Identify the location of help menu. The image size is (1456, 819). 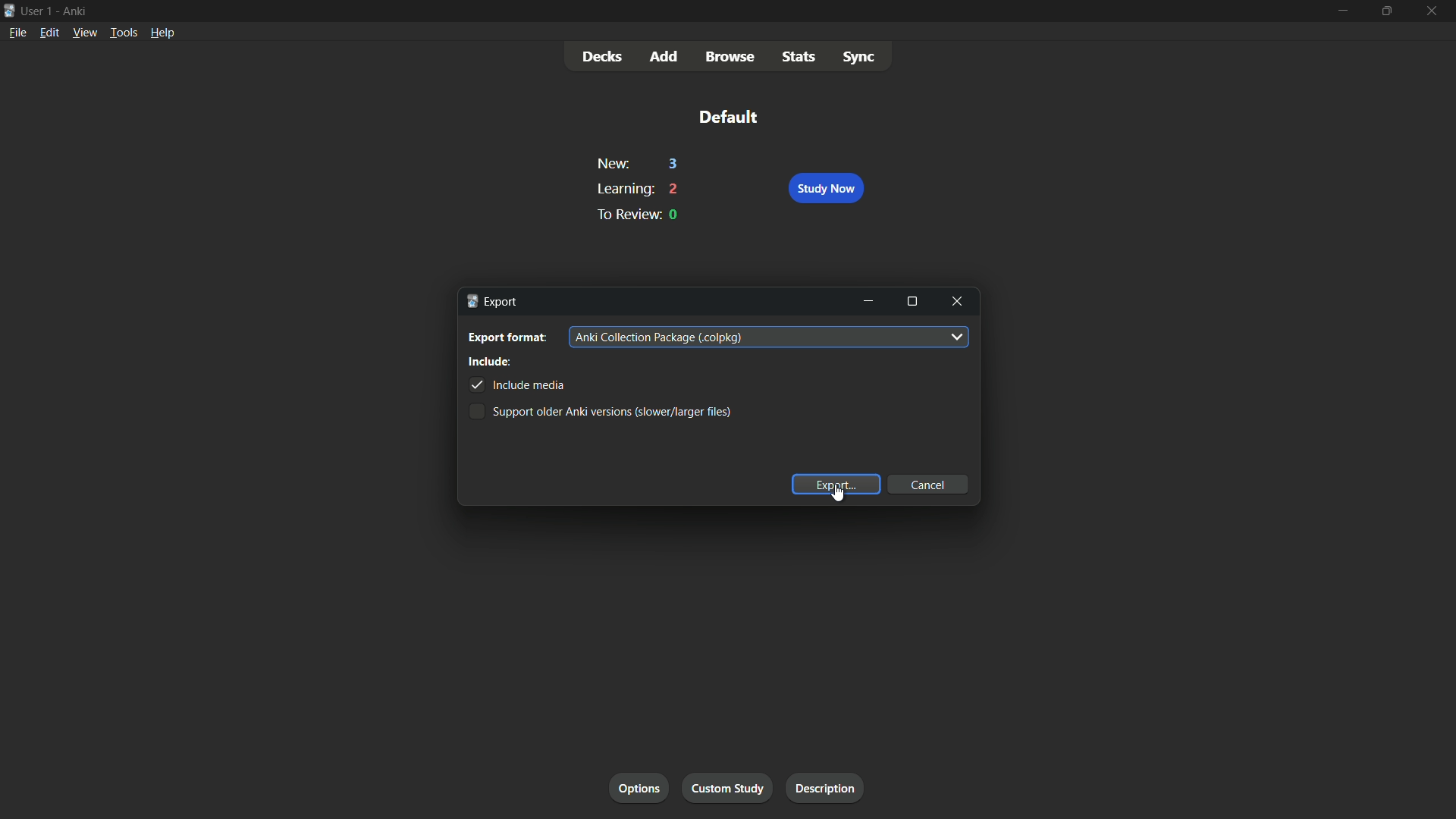
(162, 32).